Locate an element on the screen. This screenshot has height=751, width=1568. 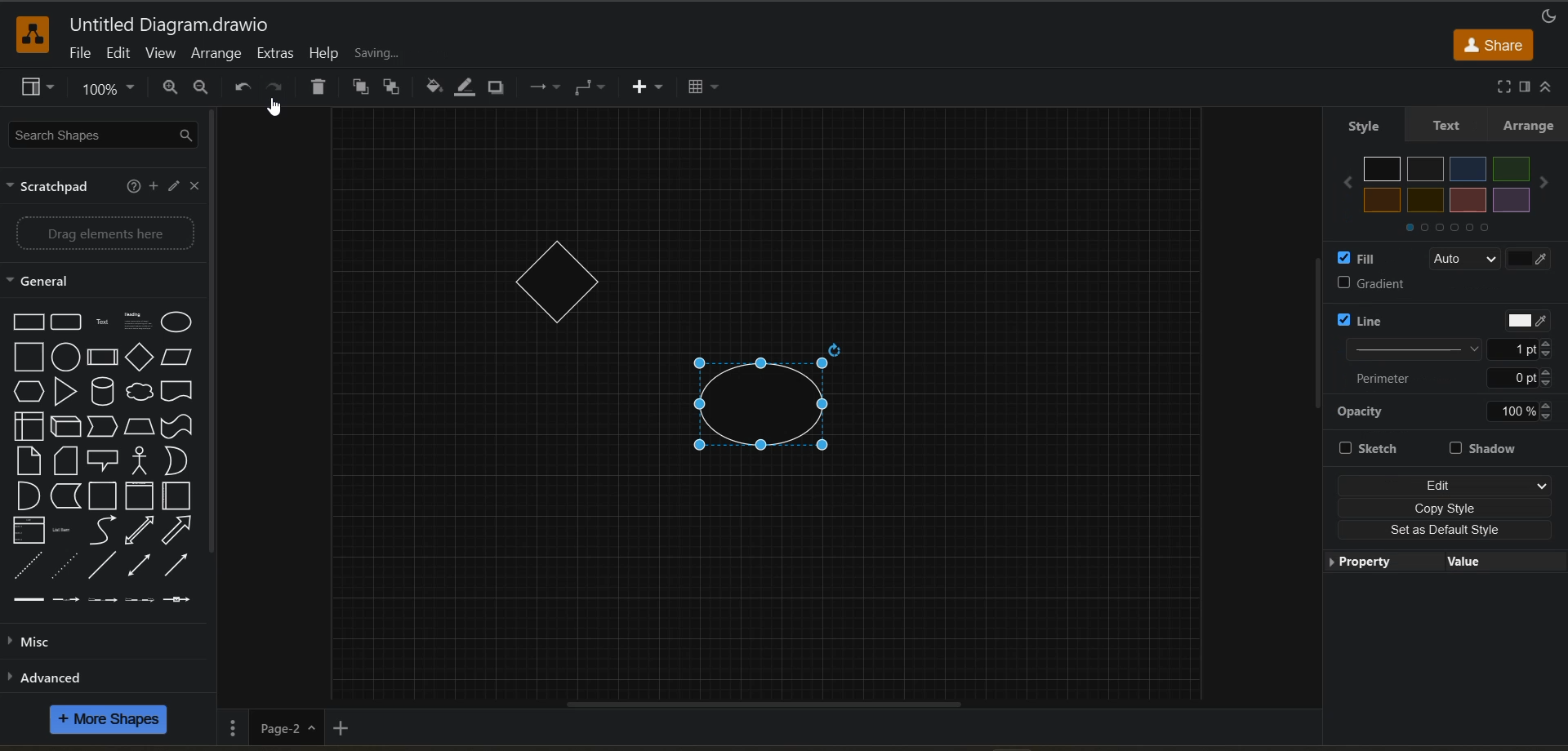
dotted line is located at coordinates (65, 566).